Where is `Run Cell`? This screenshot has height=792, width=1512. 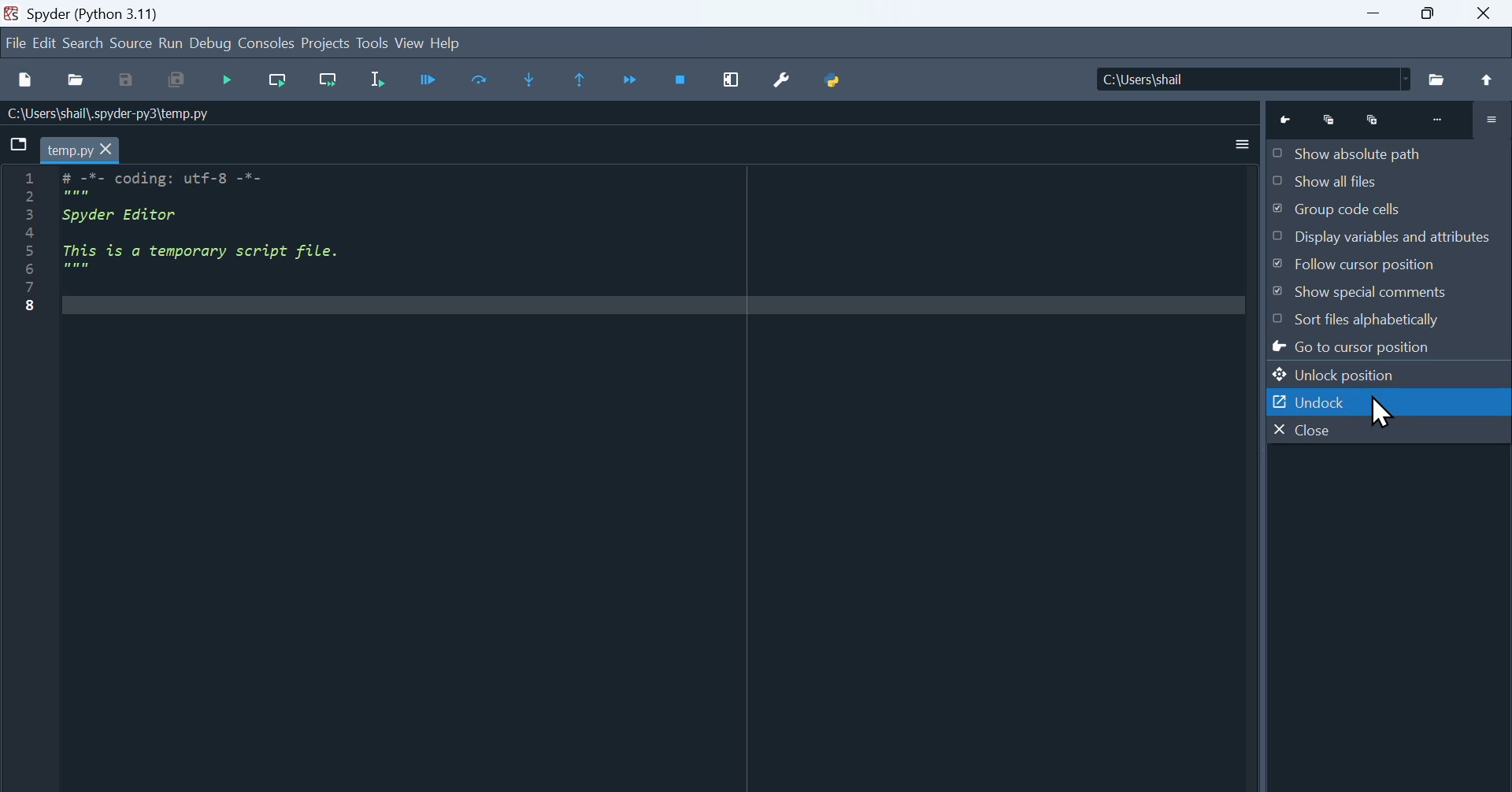 Run Cell is located at coordinates (480, 79).